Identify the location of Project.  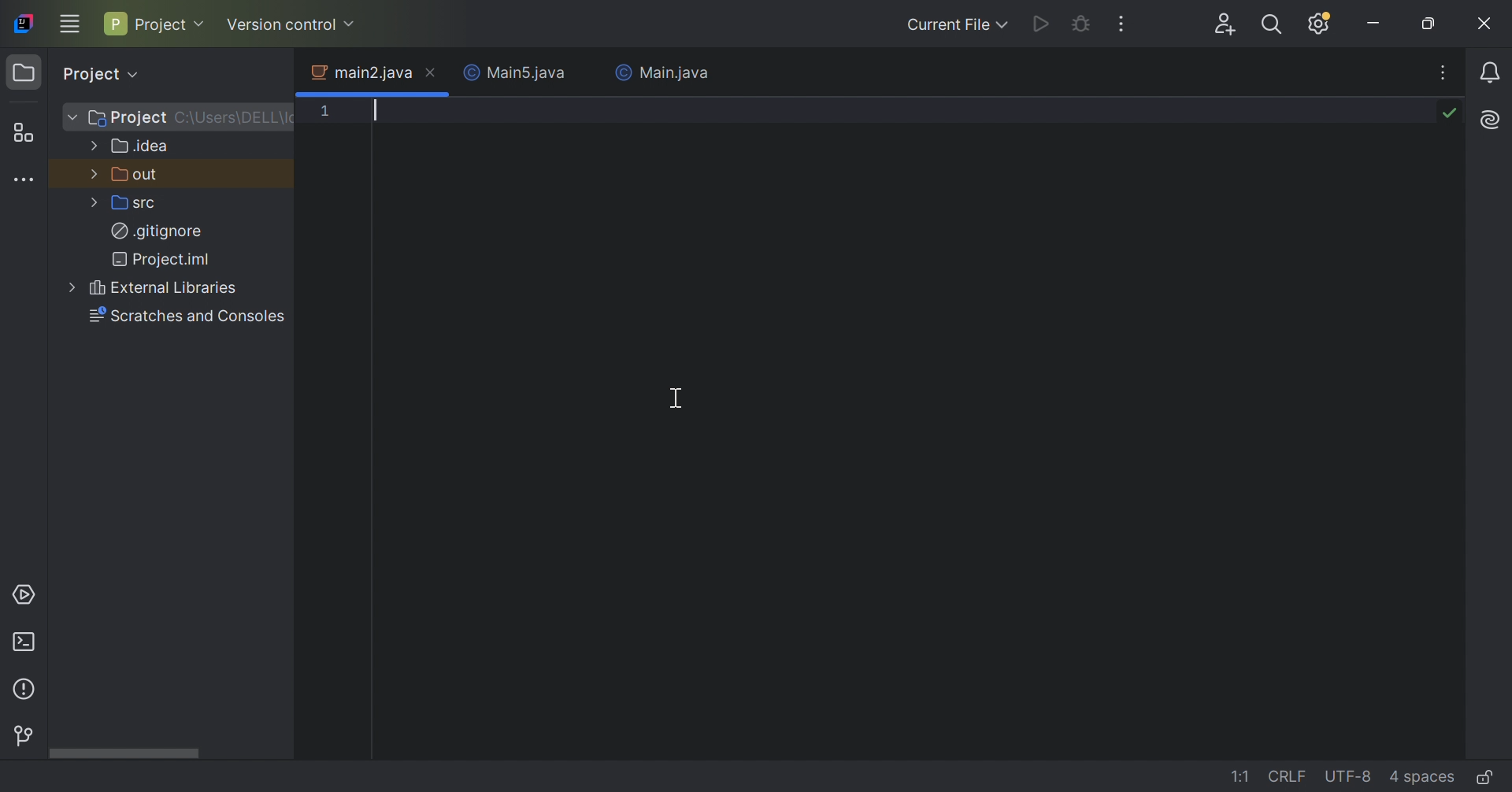
(106, 73).